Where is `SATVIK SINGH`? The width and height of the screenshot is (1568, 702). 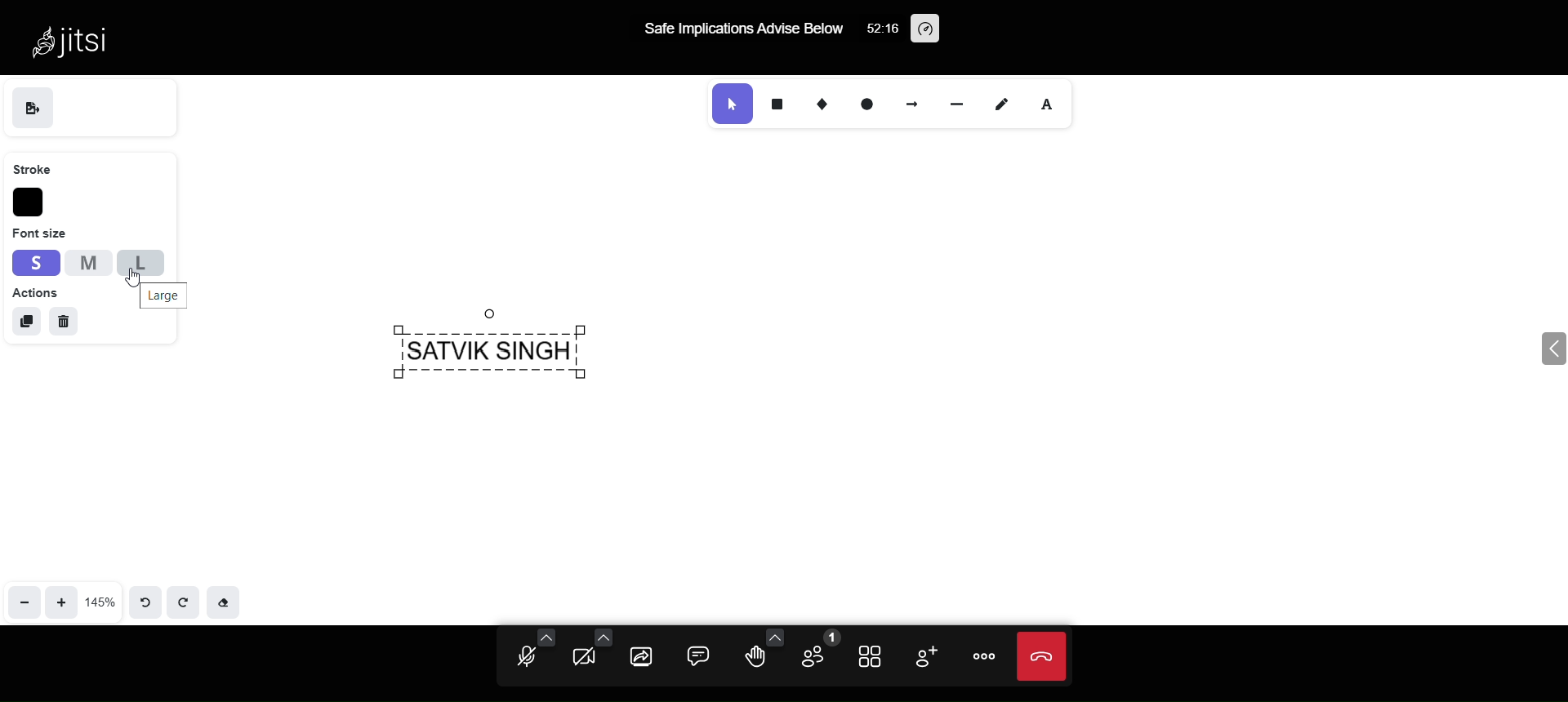 SATVIK SINGH is located at coordinates (501, 356).